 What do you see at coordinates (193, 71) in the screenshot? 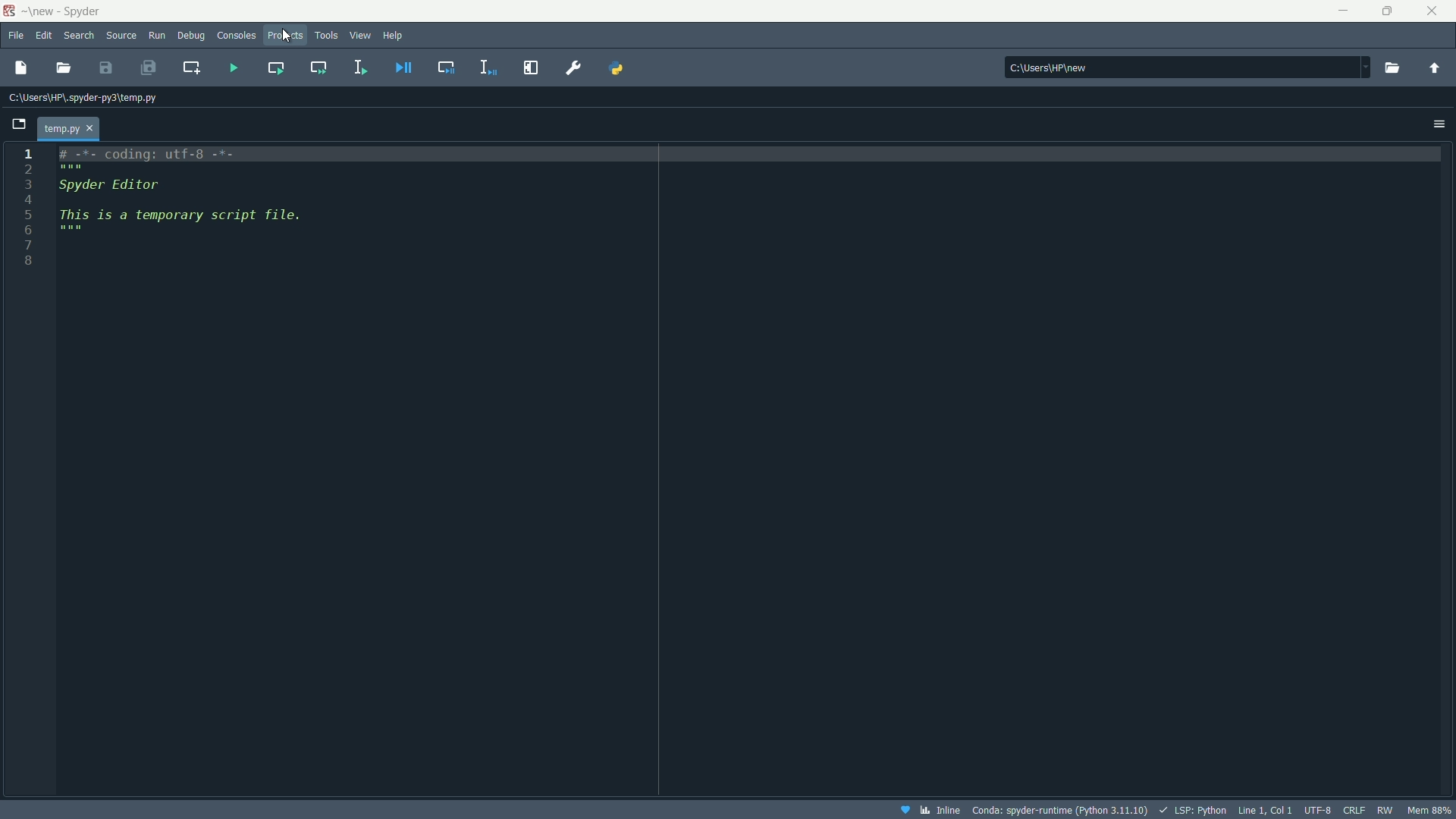
I see `Create new at the current line ` at bounding box center [193, 71].